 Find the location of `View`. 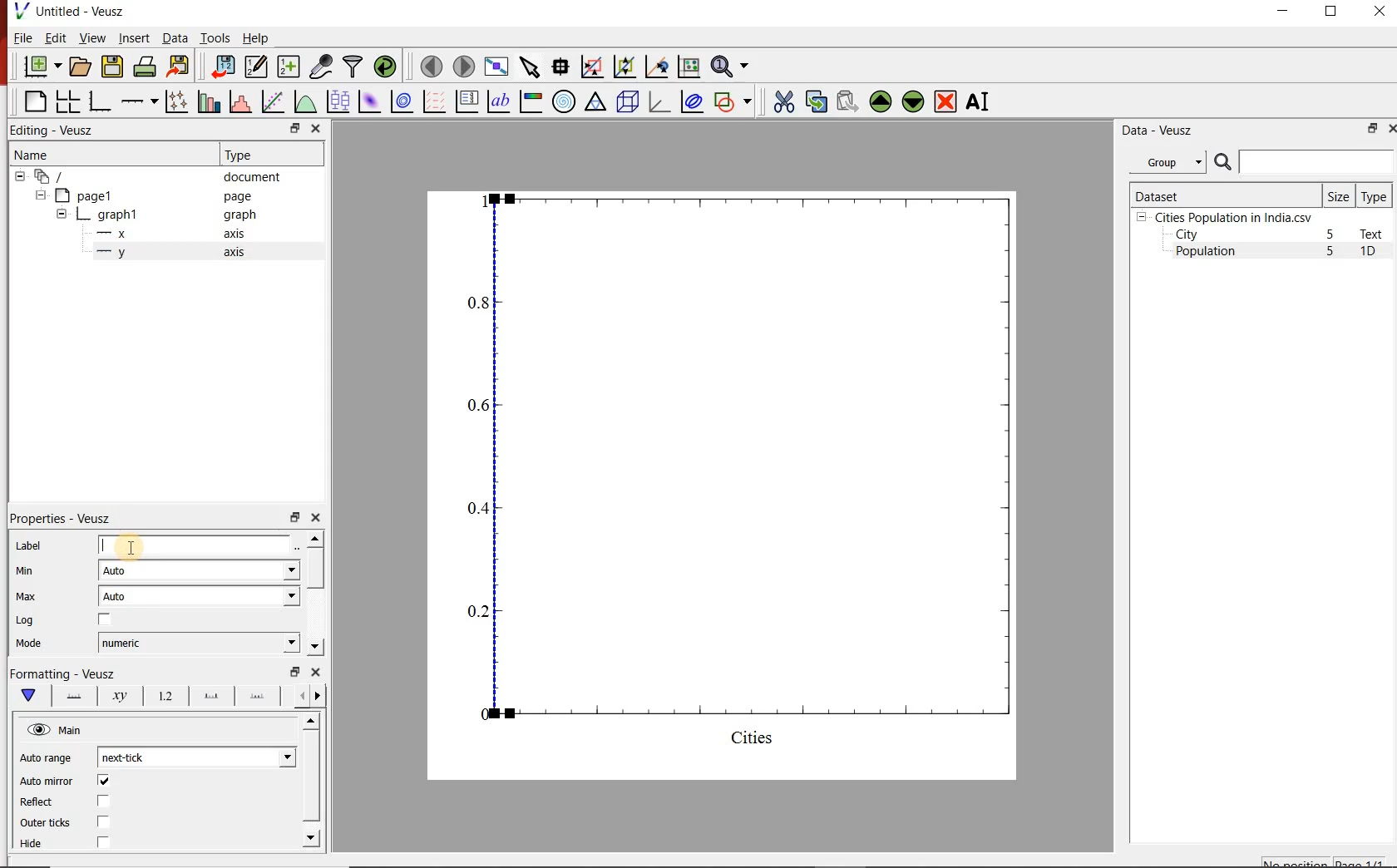

View is located at coordinates (89, 37).